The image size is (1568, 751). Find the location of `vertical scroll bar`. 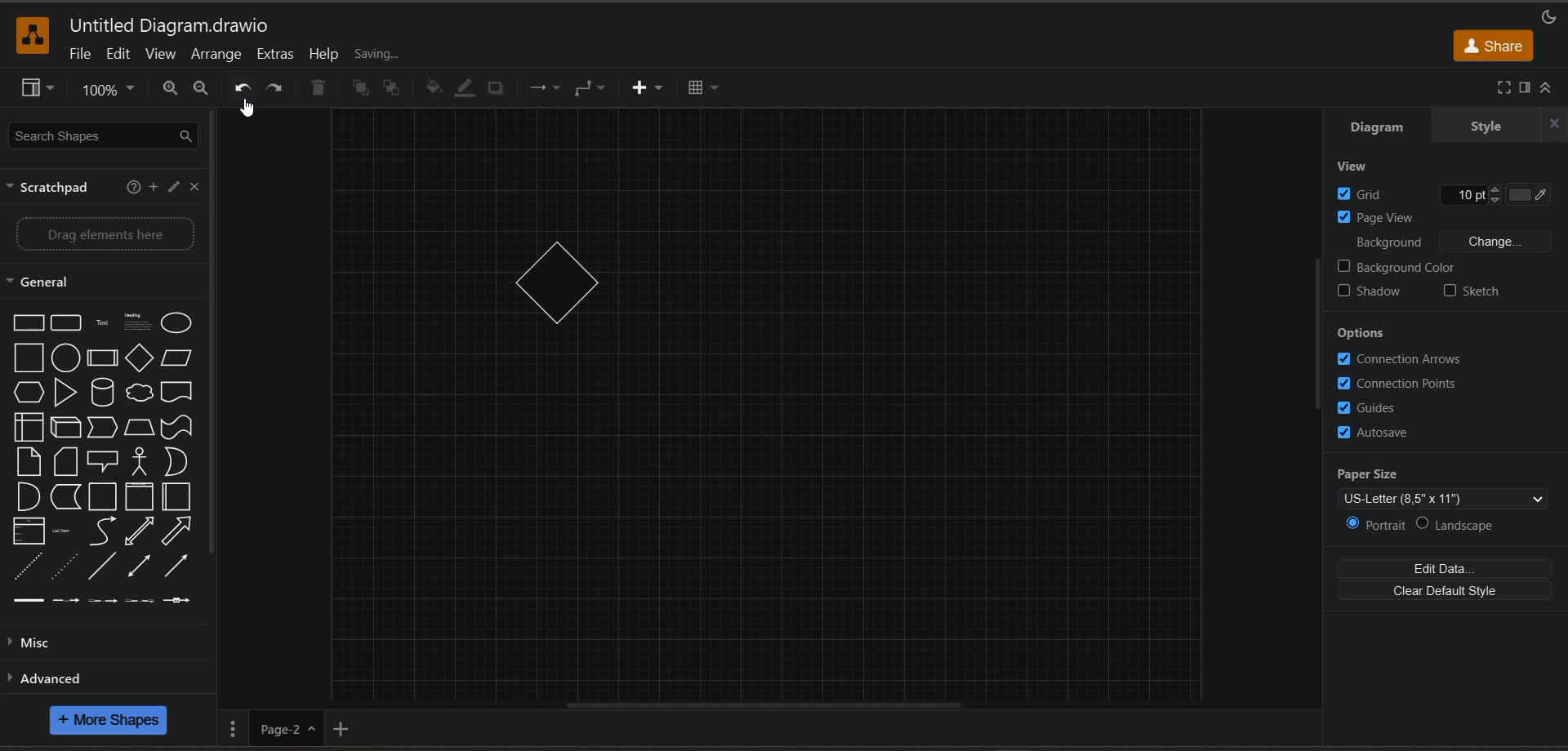

vertical scroll bar is located at coordinates (1317, 335).